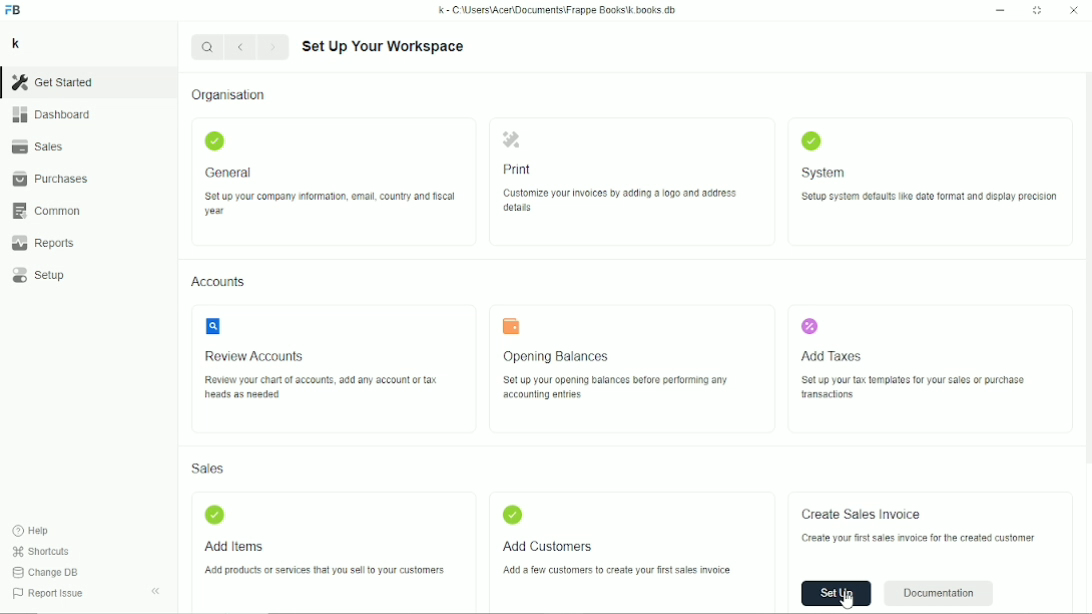  I want to click on Sales, so click(39, 146).